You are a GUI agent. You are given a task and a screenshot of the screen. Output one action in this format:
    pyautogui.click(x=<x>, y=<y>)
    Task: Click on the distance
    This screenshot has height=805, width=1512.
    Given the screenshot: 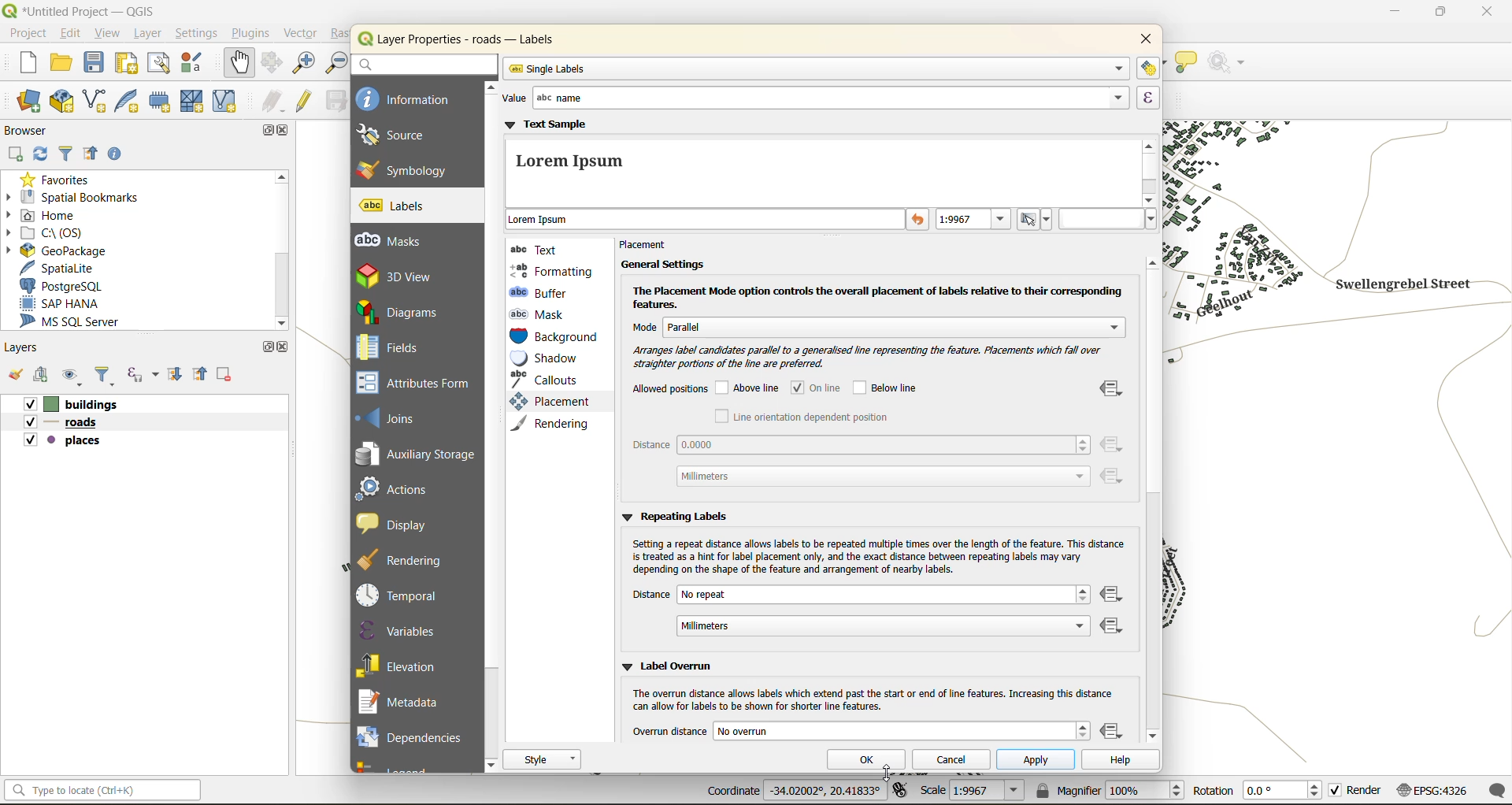 What is the action you would take?
    pyautogui.click(x=860, y=612)
    